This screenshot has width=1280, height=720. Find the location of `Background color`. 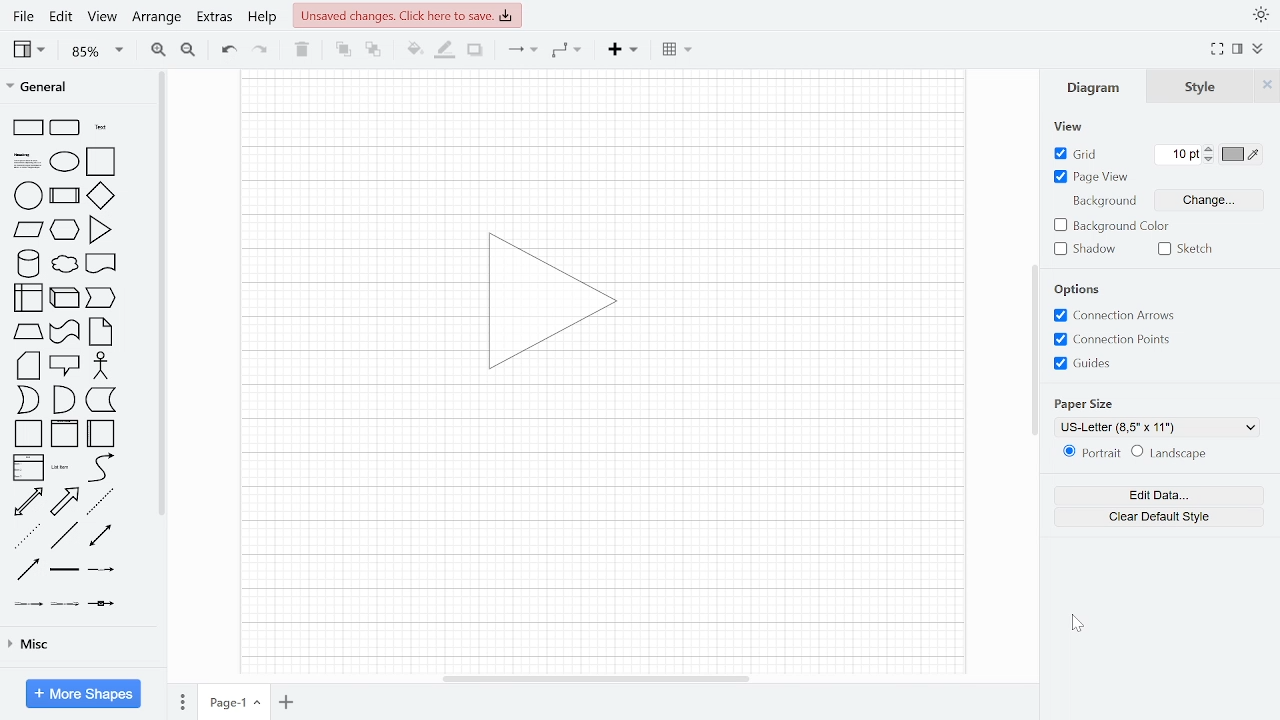

Background color is located at coordinates (1112, 226).